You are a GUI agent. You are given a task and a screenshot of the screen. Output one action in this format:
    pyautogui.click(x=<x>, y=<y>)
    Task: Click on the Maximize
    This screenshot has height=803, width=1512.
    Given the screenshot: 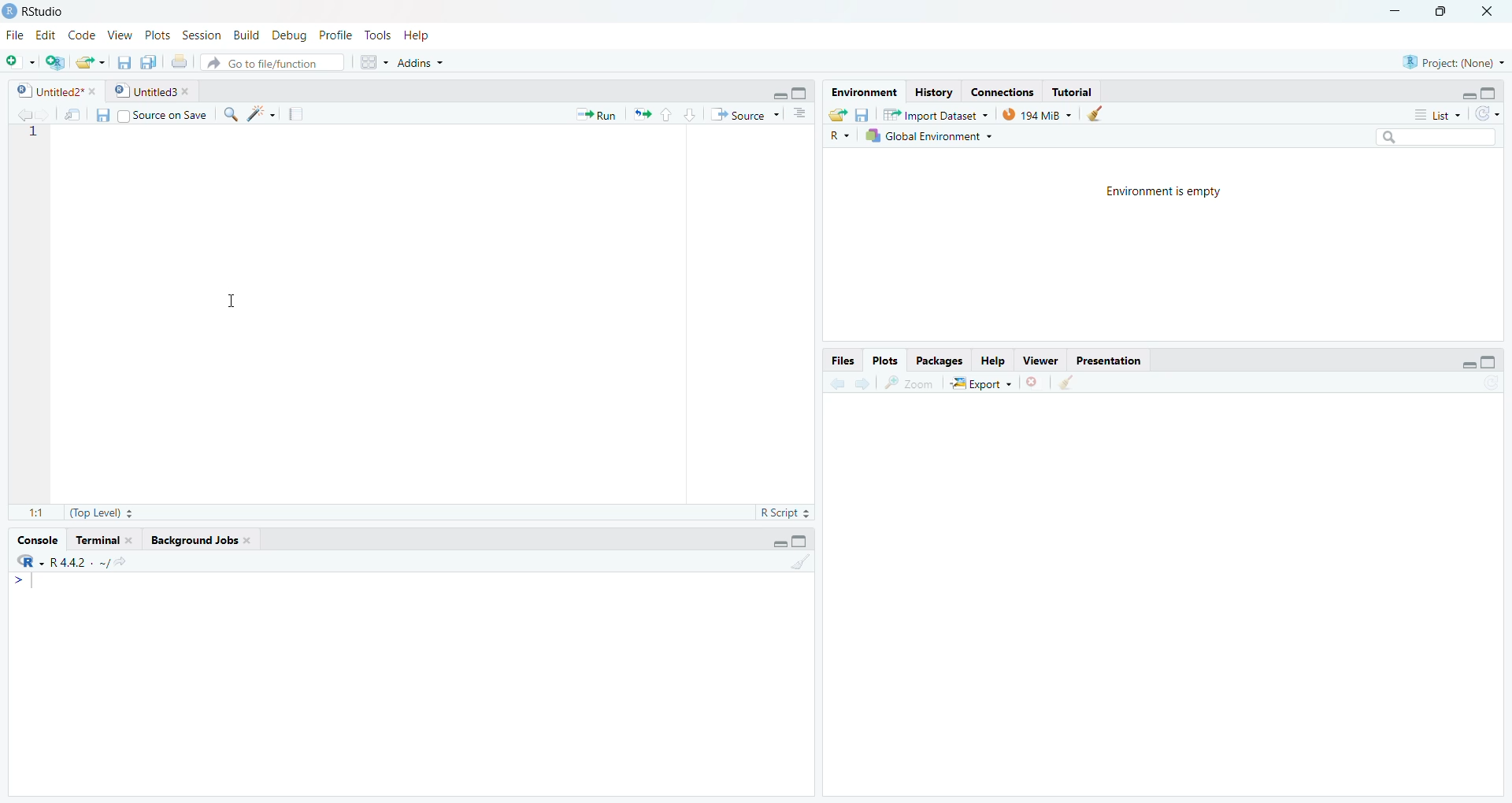 What is the action you would take?
    pyautogui.click(x=801, y=92)
    